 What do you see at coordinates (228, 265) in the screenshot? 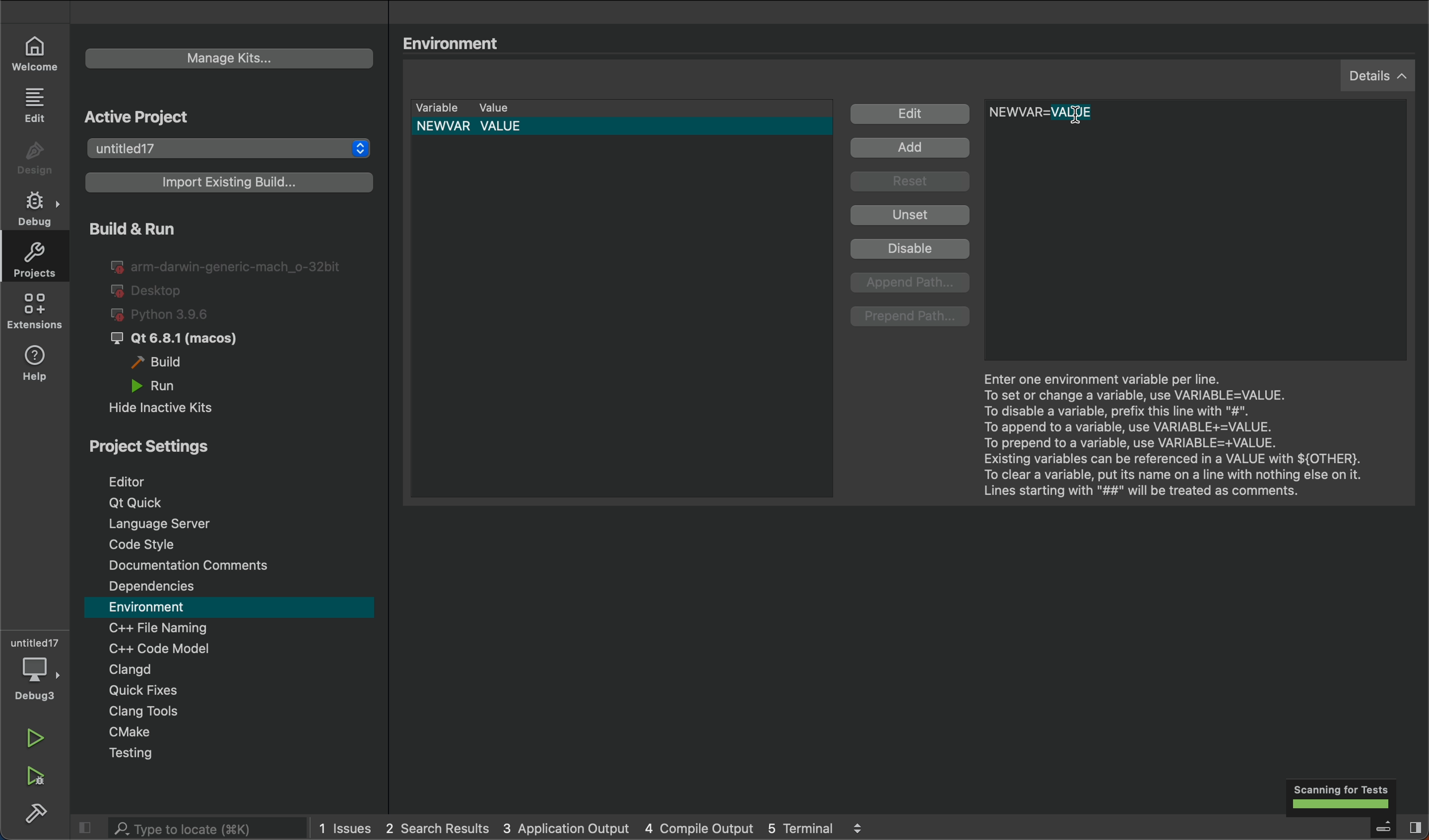
I see `I@ arm-darwin-generic-mach_o-32bit` at bounding box center [228, 265].